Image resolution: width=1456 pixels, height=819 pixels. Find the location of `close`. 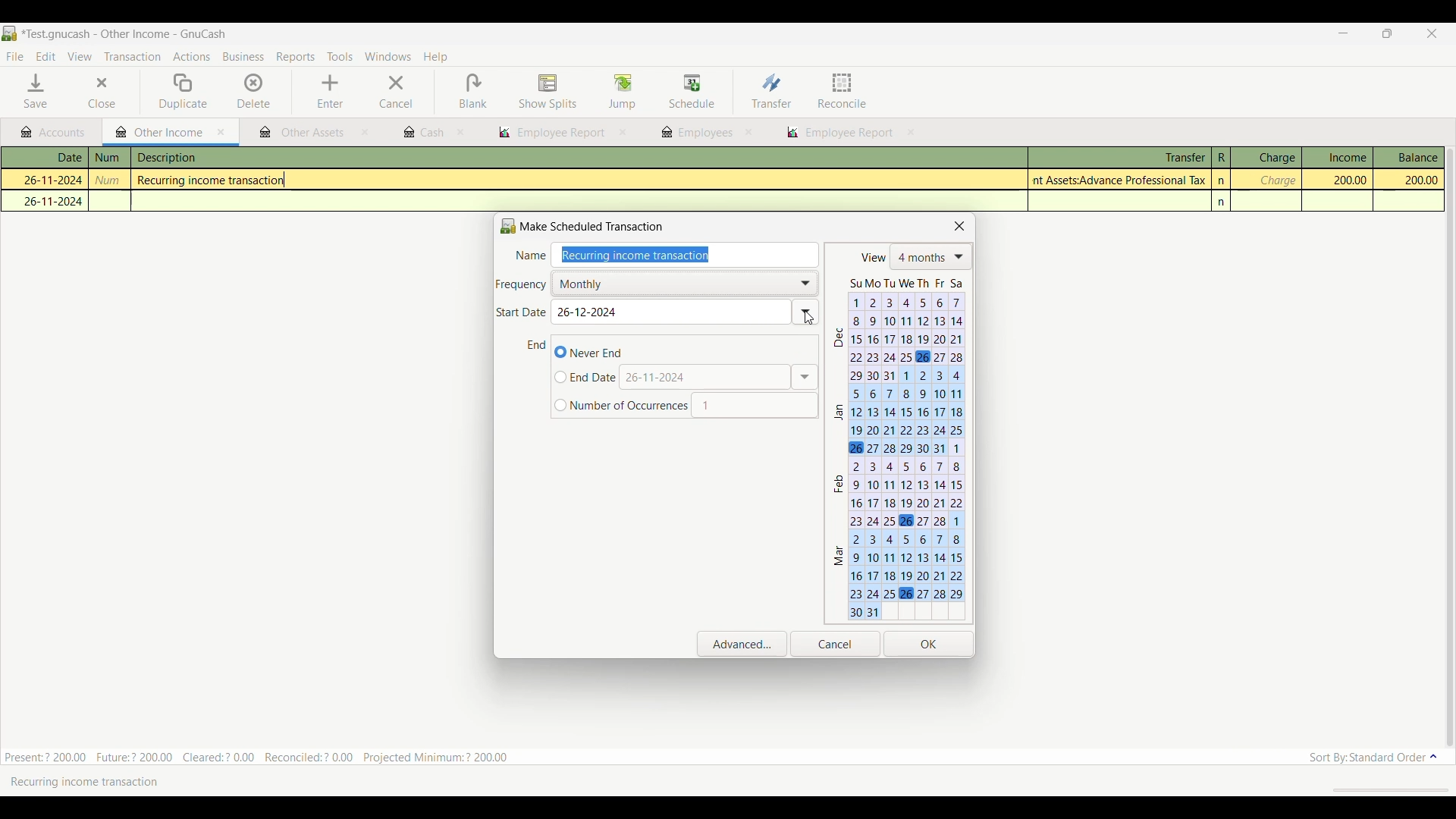

close is located at coordinates (462, 133).